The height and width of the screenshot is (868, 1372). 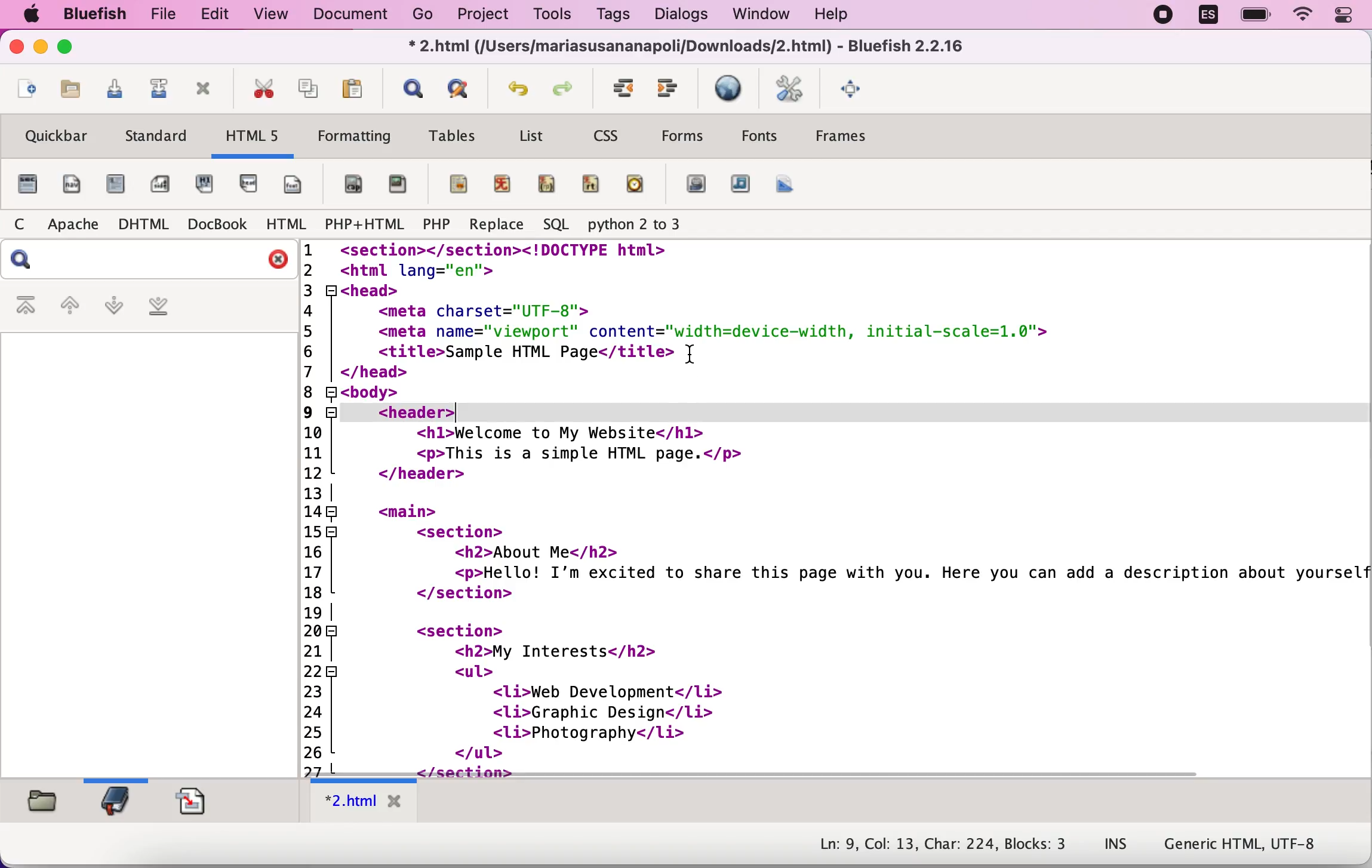 I want to click on quickbar, so click(x=57, y=136).